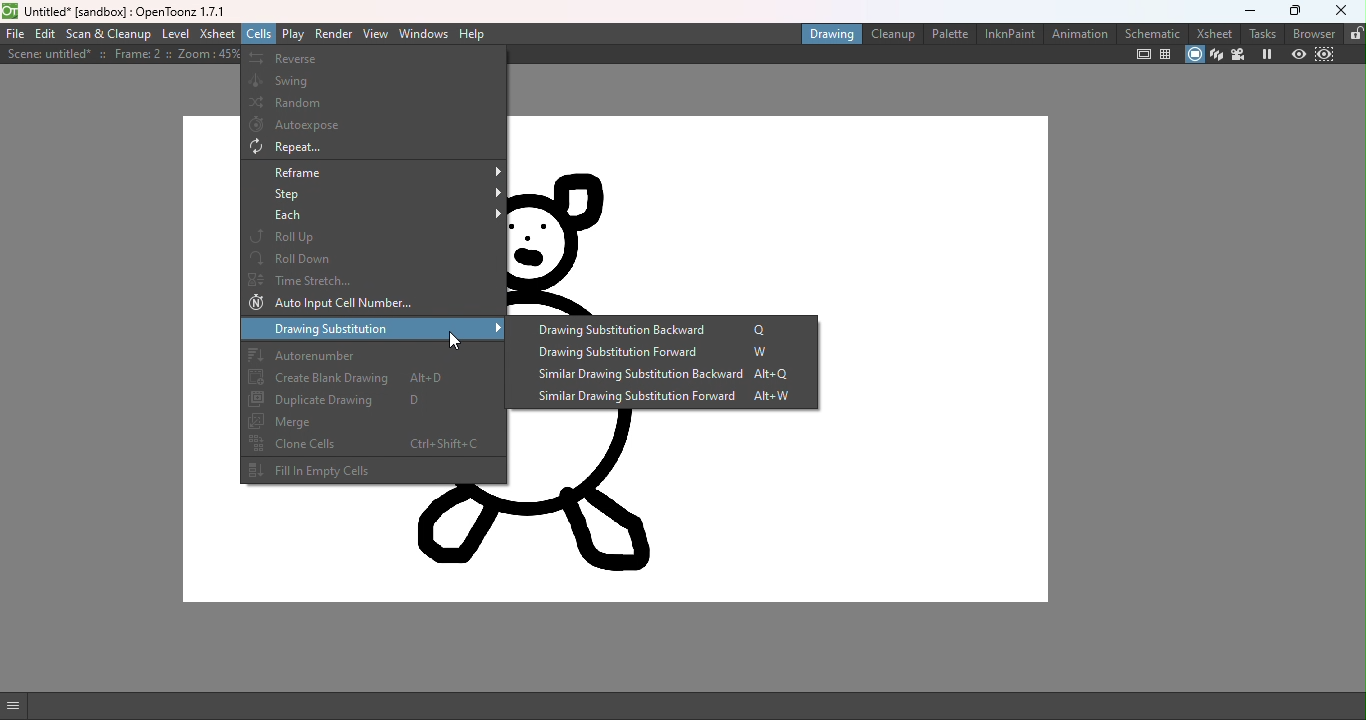 The image size is (1366, 720). What do you see at coordinates (370, 304) in the screenshot?
I see `Auto Input cell number` at bounding box center [370, 304].